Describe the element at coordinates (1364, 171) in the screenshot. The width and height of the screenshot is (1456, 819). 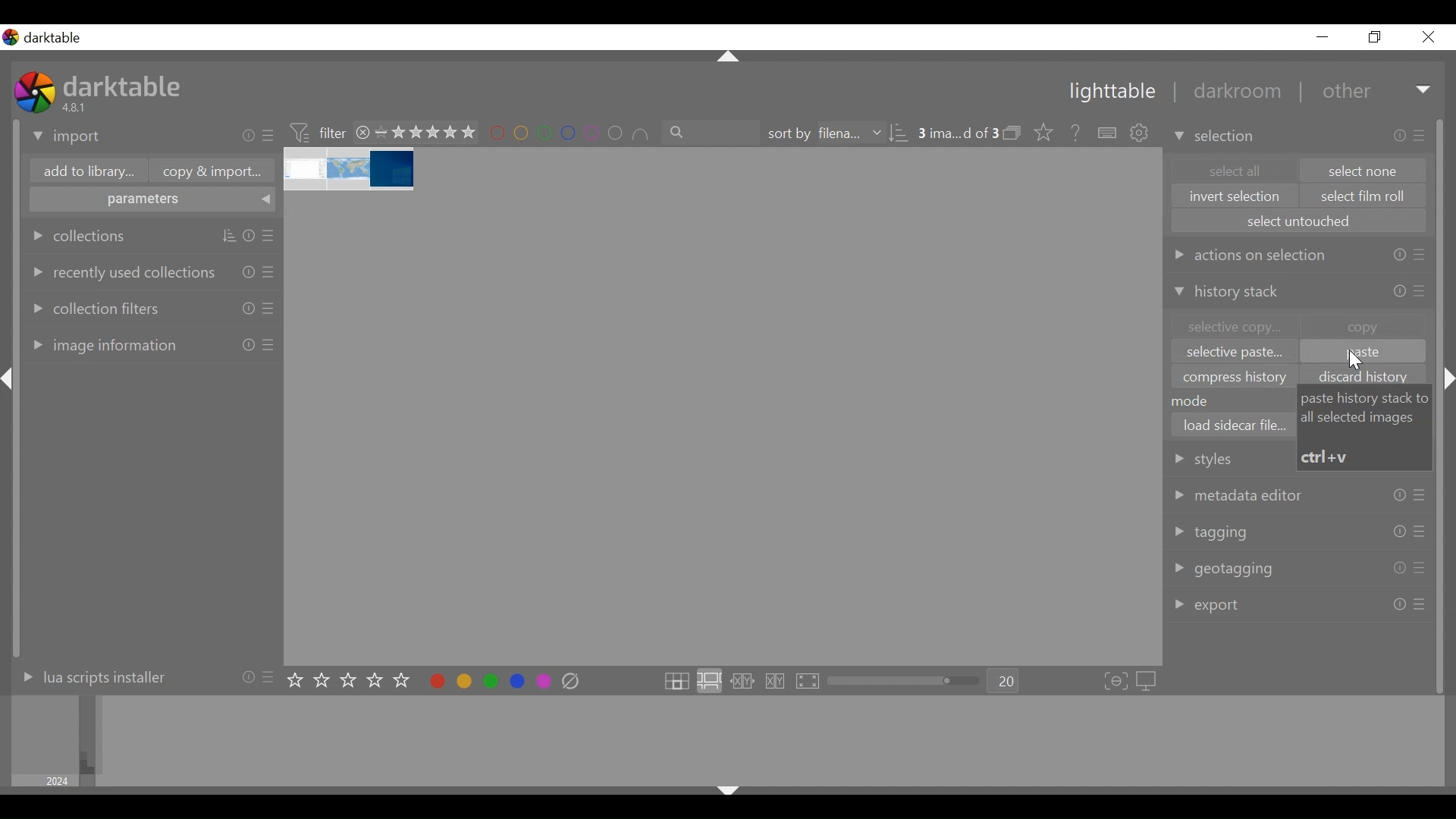
I see `select none` at that location.